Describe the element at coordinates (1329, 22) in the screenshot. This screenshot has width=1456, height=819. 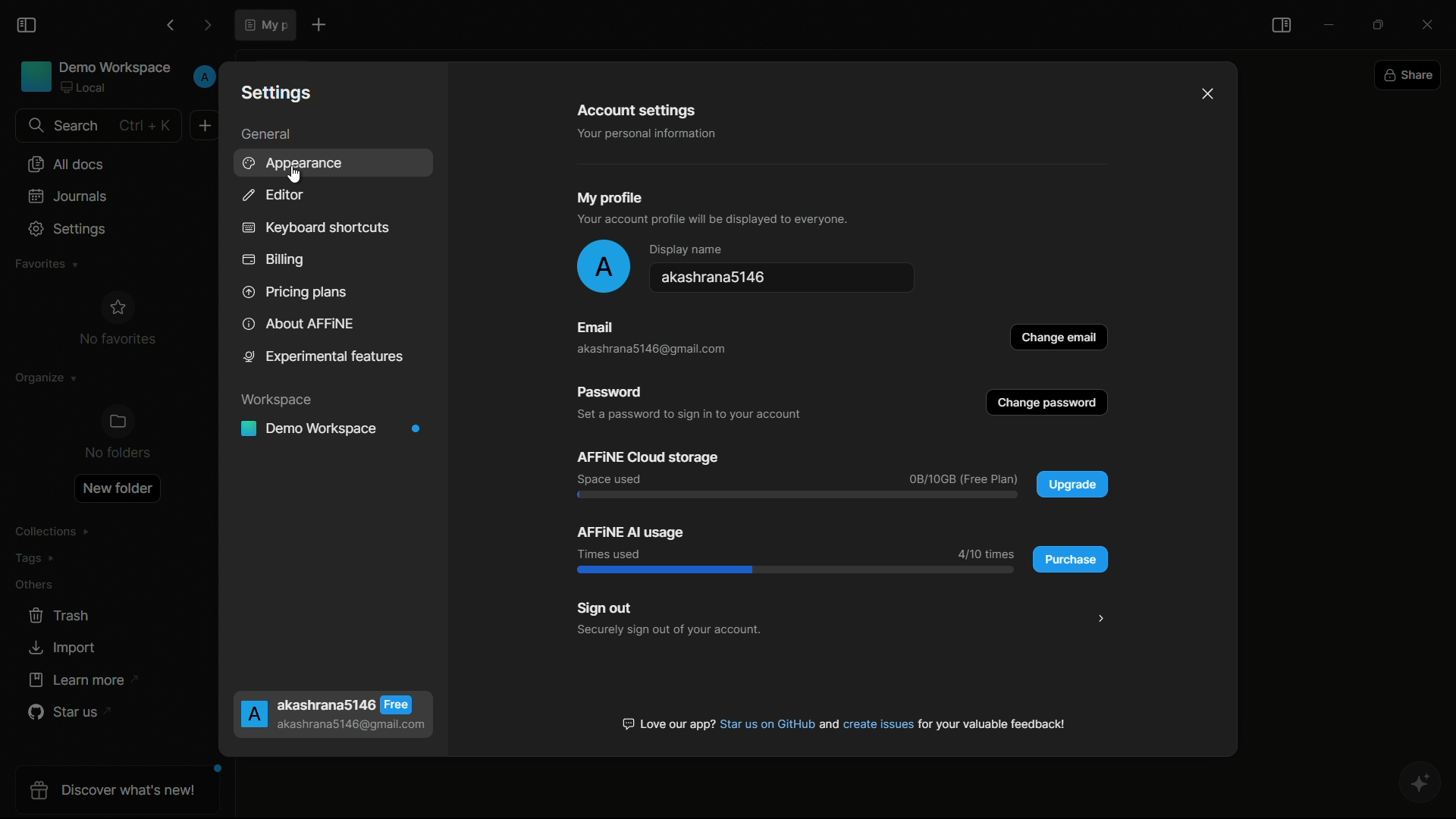
I see `minimize` at that location.